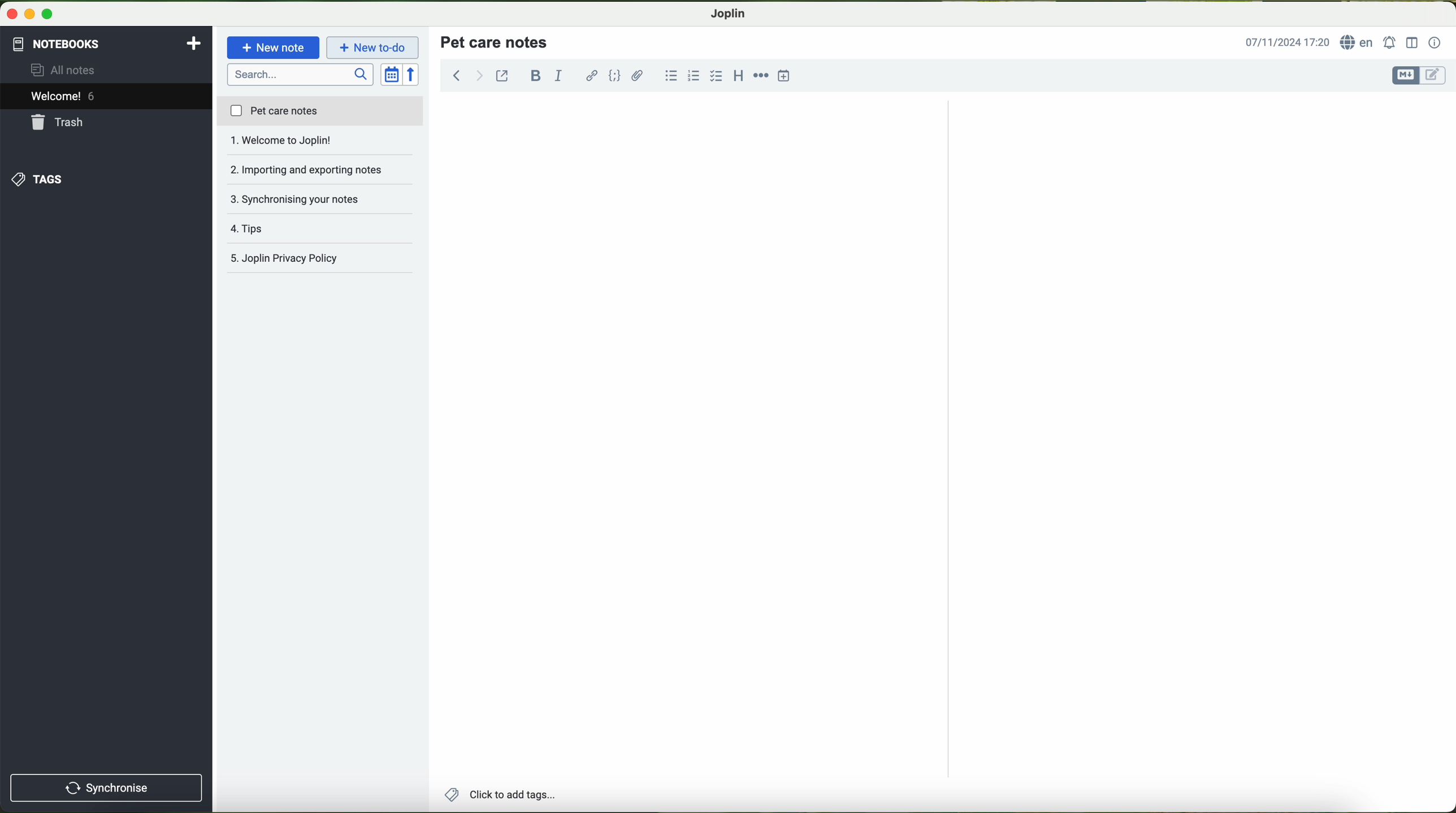 The image size is (1456, 813). What do you see at coordinates (638, 75) in the screenshot?
I see `attach file` at bounding box center [638, 75].